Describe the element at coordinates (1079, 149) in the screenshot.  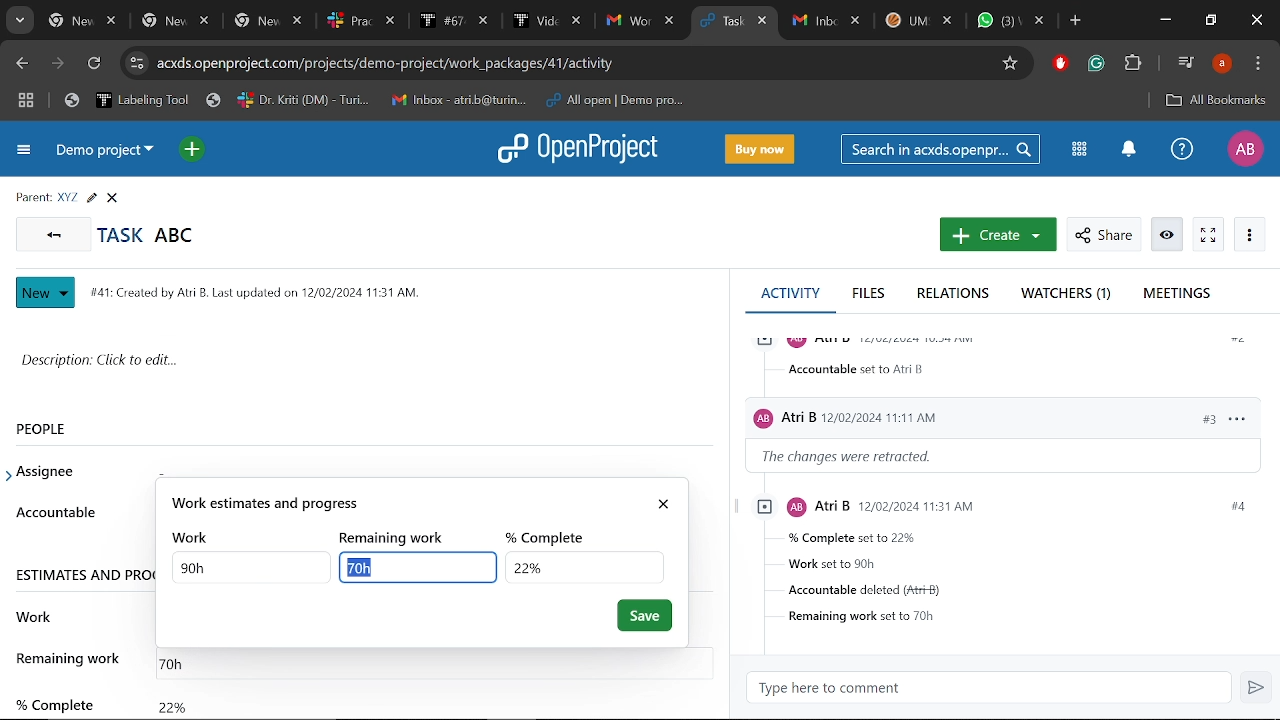
I see `Modules` at that location.